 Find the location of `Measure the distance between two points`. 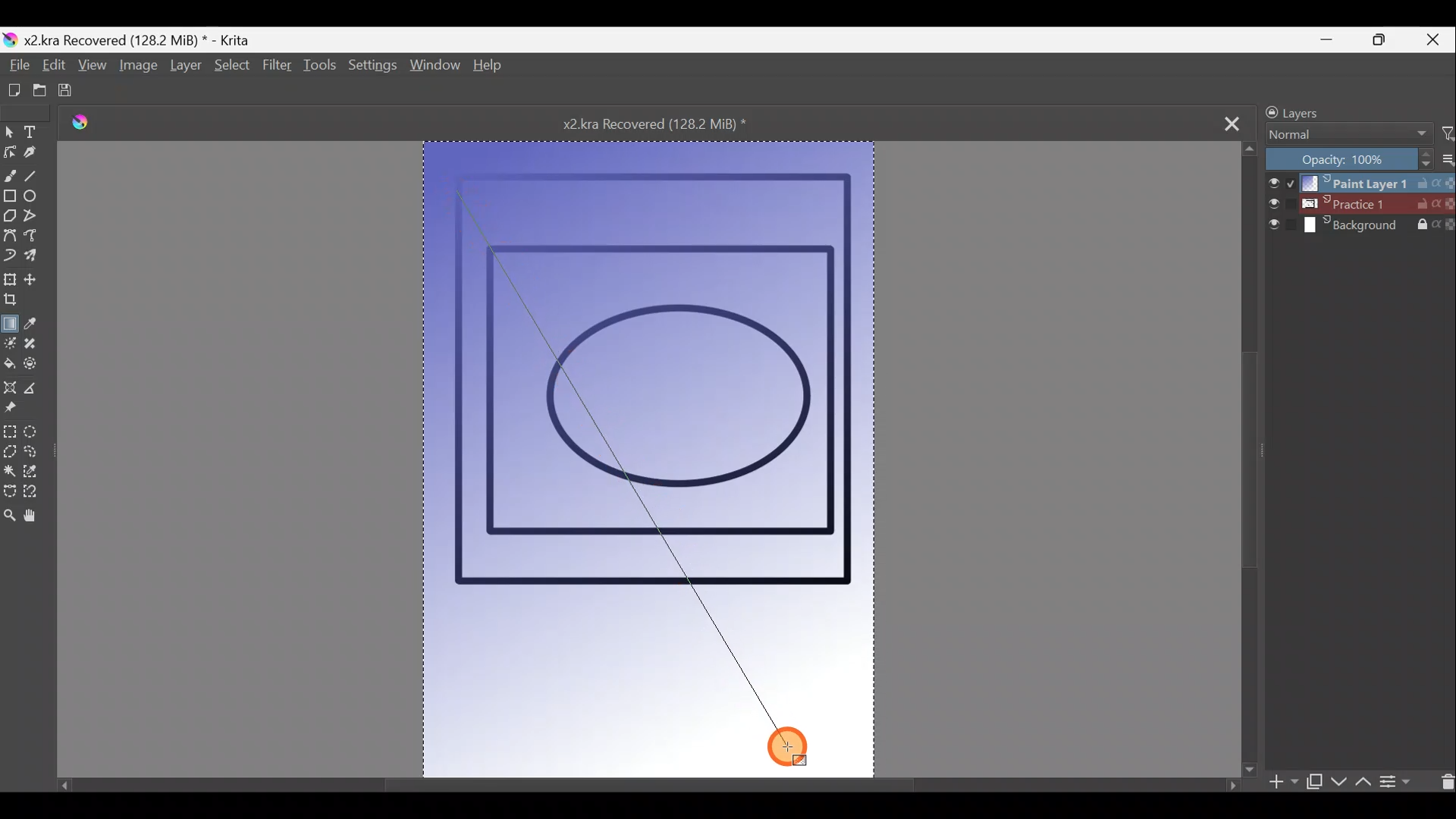

Measure the distance between two points is located at coordinates (37, 393).